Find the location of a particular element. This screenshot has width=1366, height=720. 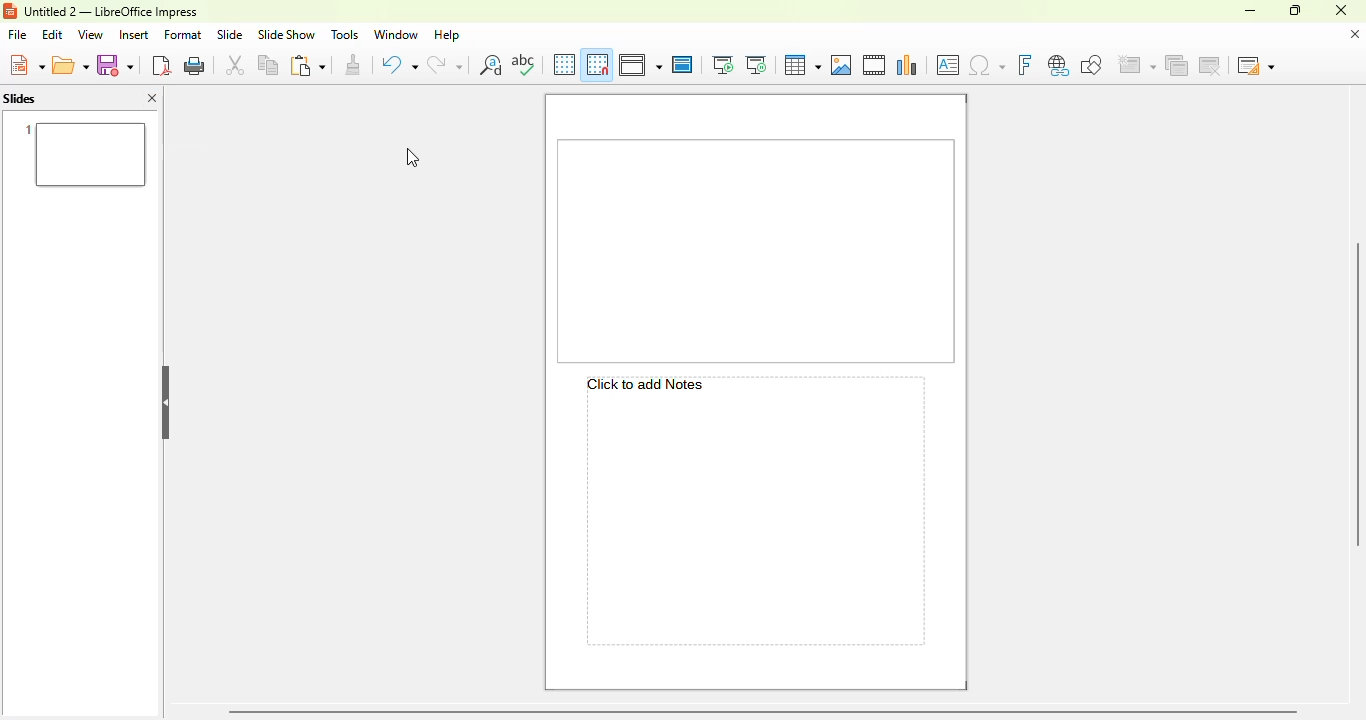

file is located at coordinates (17, 35).